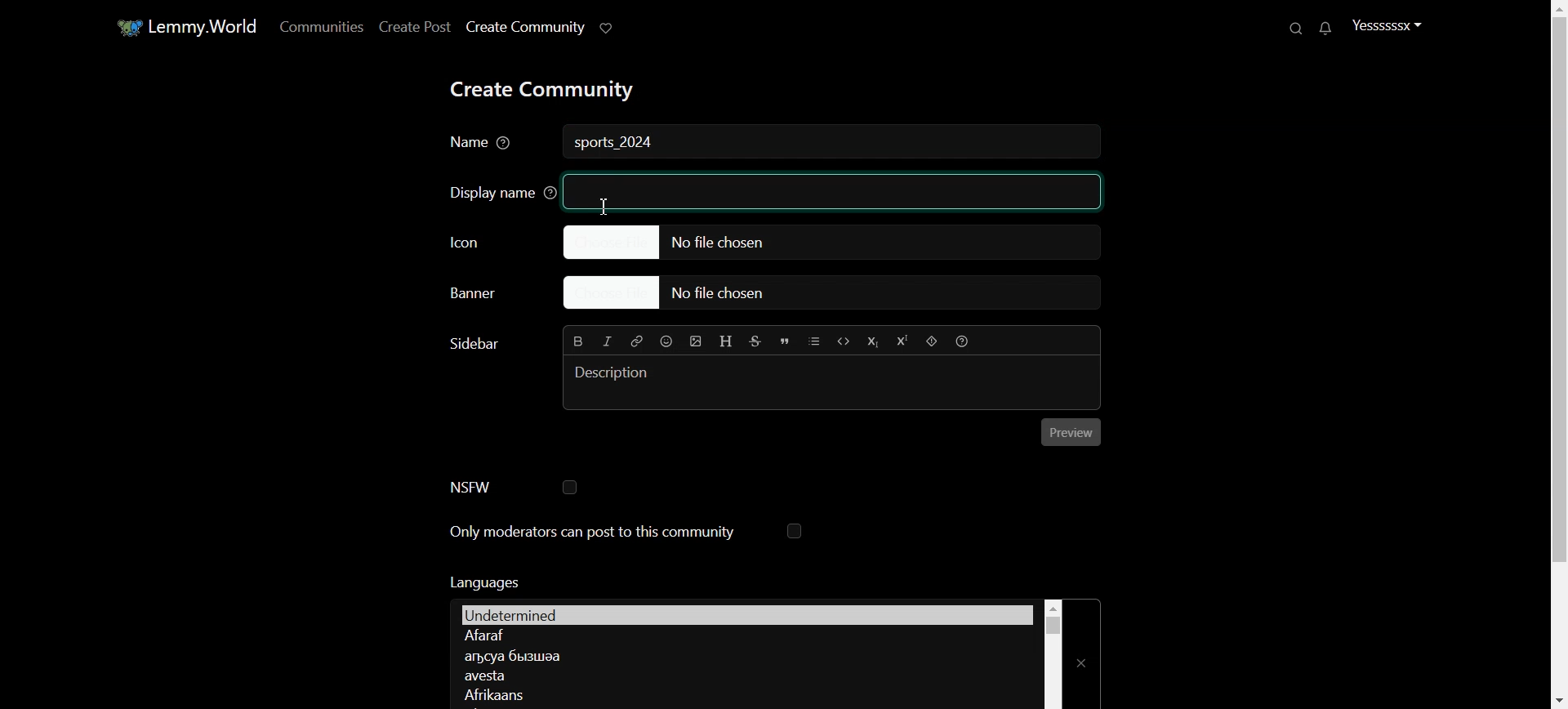 This screenshot has height=709, width=1568. I want to click on Language, so click(742, 655).